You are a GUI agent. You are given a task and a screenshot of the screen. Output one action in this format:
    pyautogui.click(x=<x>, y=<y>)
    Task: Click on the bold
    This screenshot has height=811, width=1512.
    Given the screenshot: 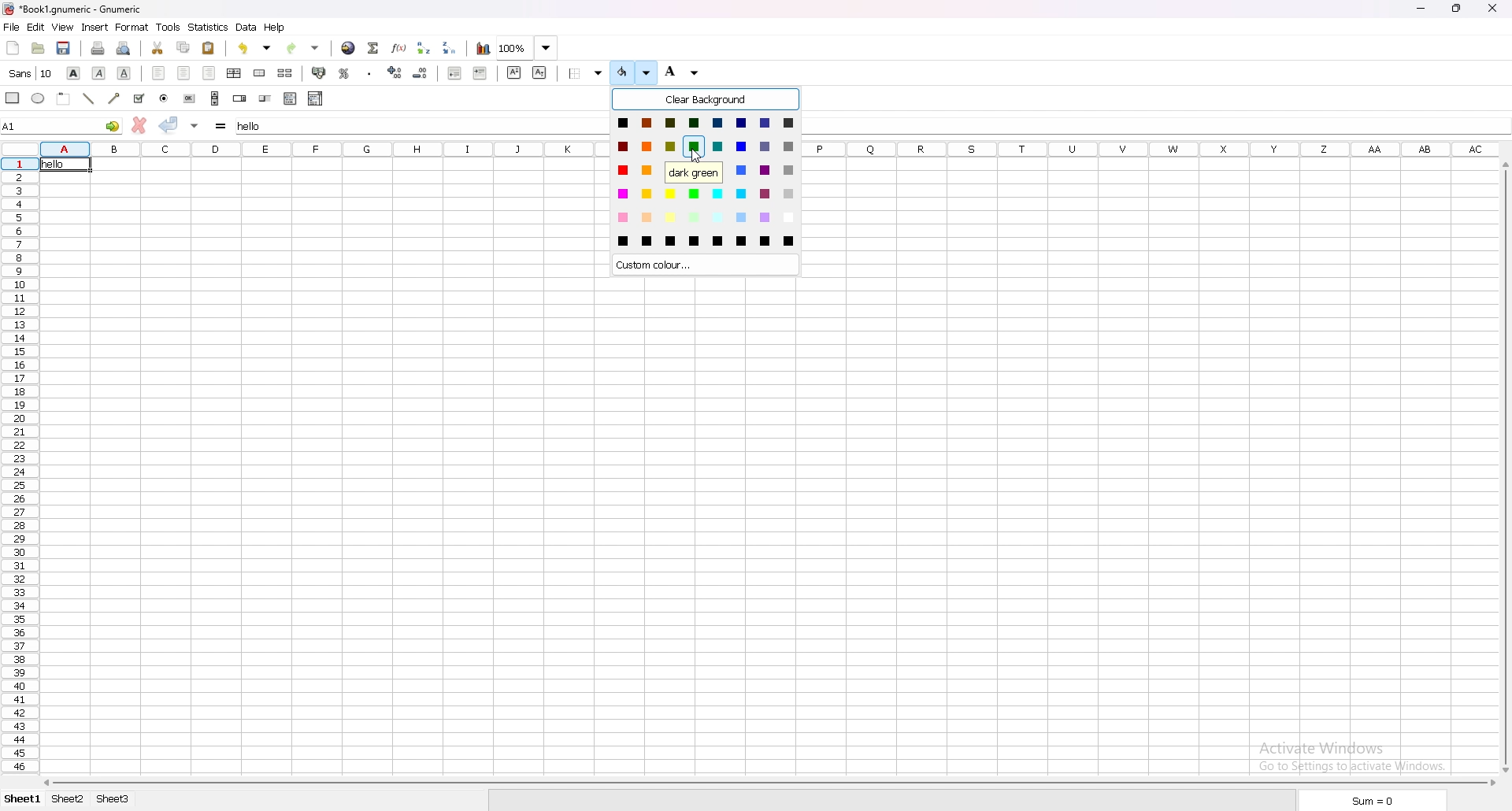 What is the action you would take?
    pyautogui.click(x=76, y=72)
    